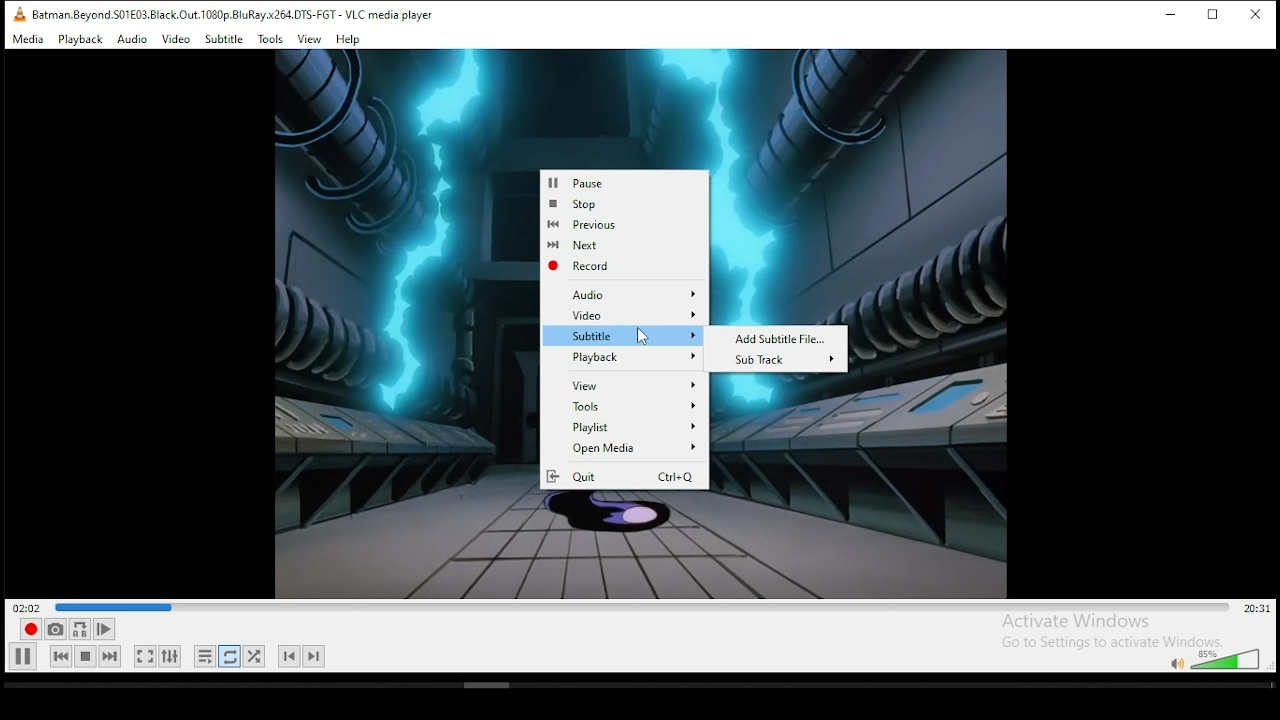 This screenshot has width=1280, height=720. Describe the element at coordinates (677, 477) in the screenshot. I see `Ctrl+Q` at that location.